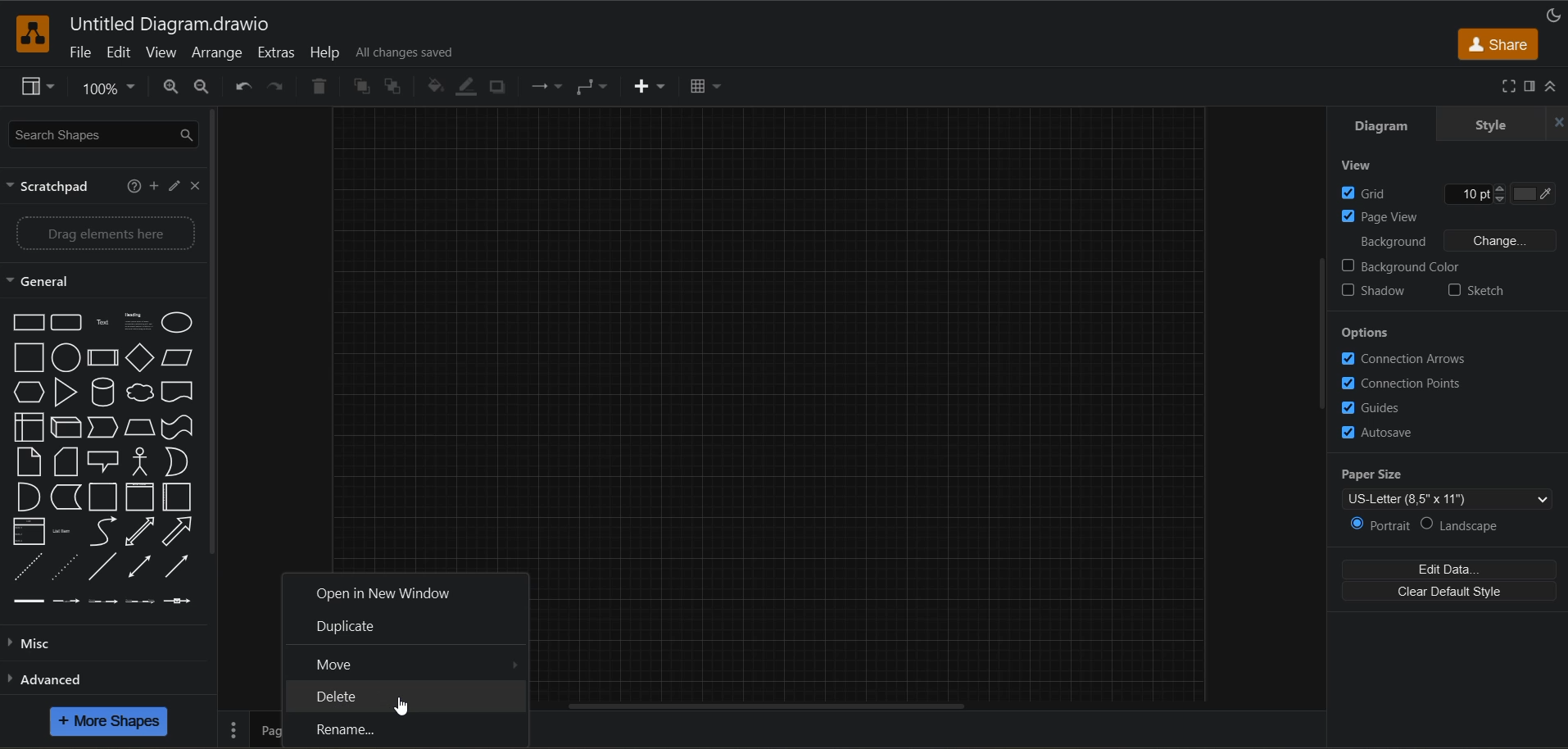 The width and height of the screenshot is (1568, 749). I want to click on to front, so click(360, 86).